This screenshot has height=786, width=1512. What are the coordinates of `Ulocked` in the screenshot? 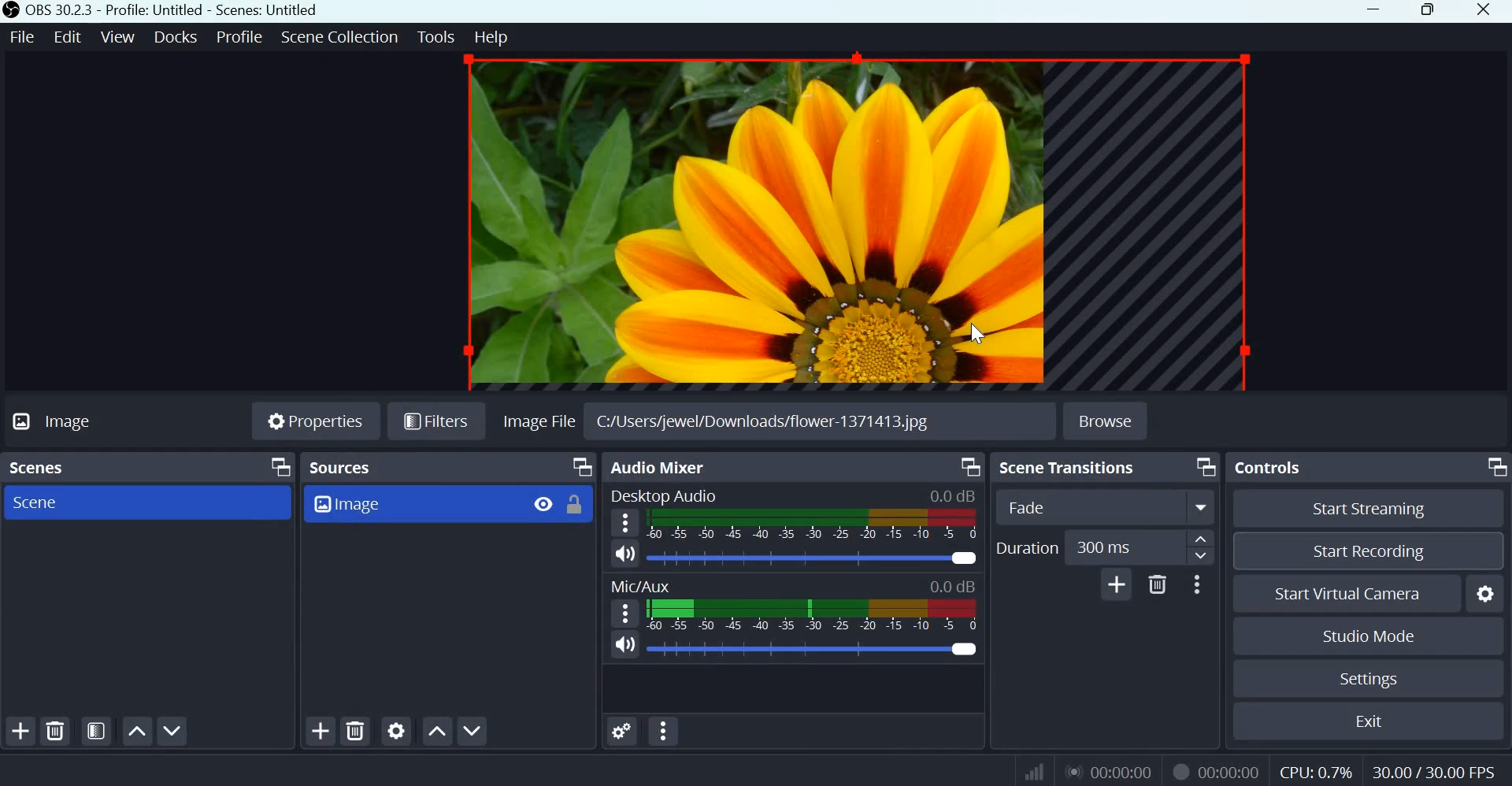 It's located at (576, 503).